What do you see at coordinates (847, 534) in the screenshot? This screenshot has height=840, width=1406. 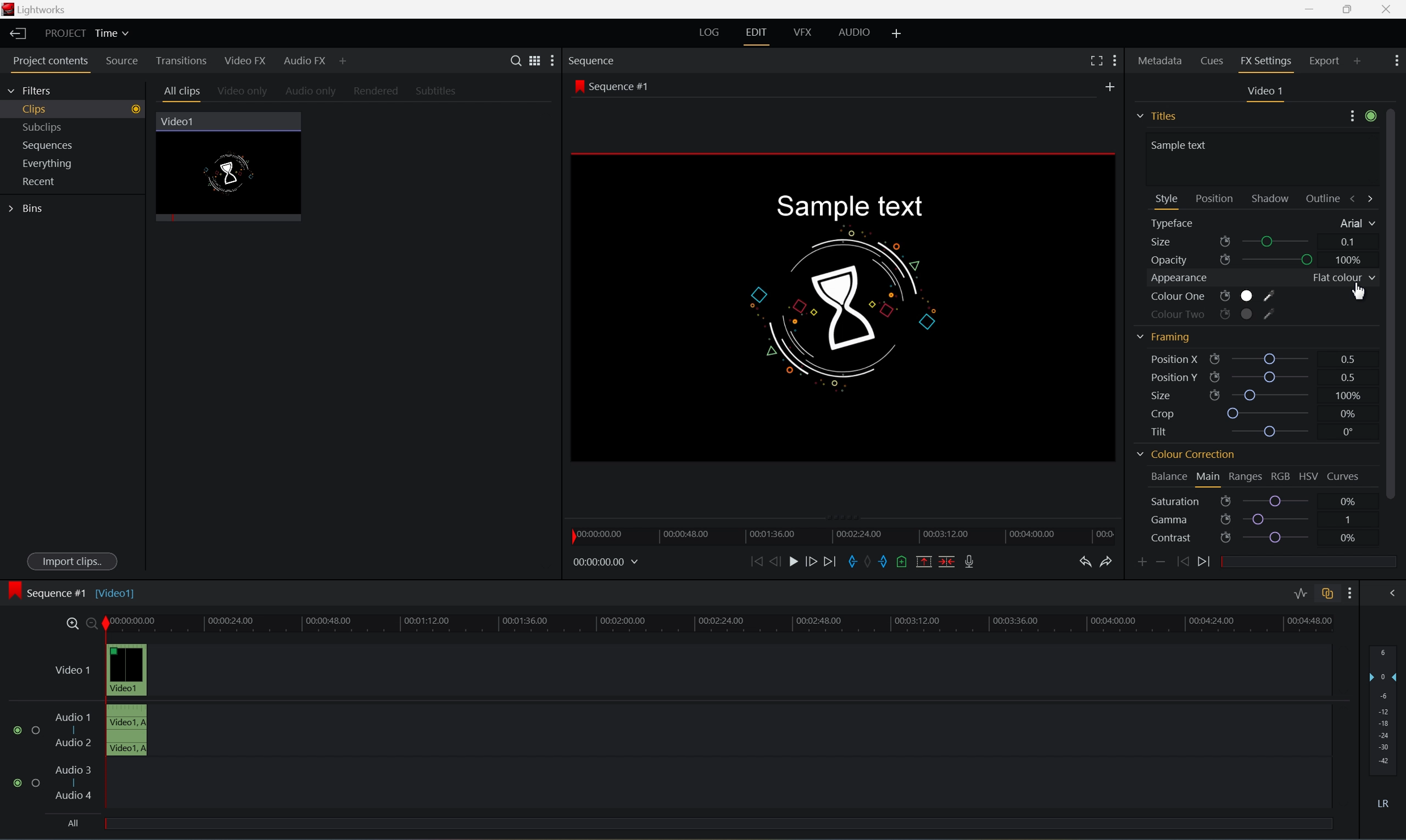 I see `Timeline Navigator` at bounding box center [847, 534].